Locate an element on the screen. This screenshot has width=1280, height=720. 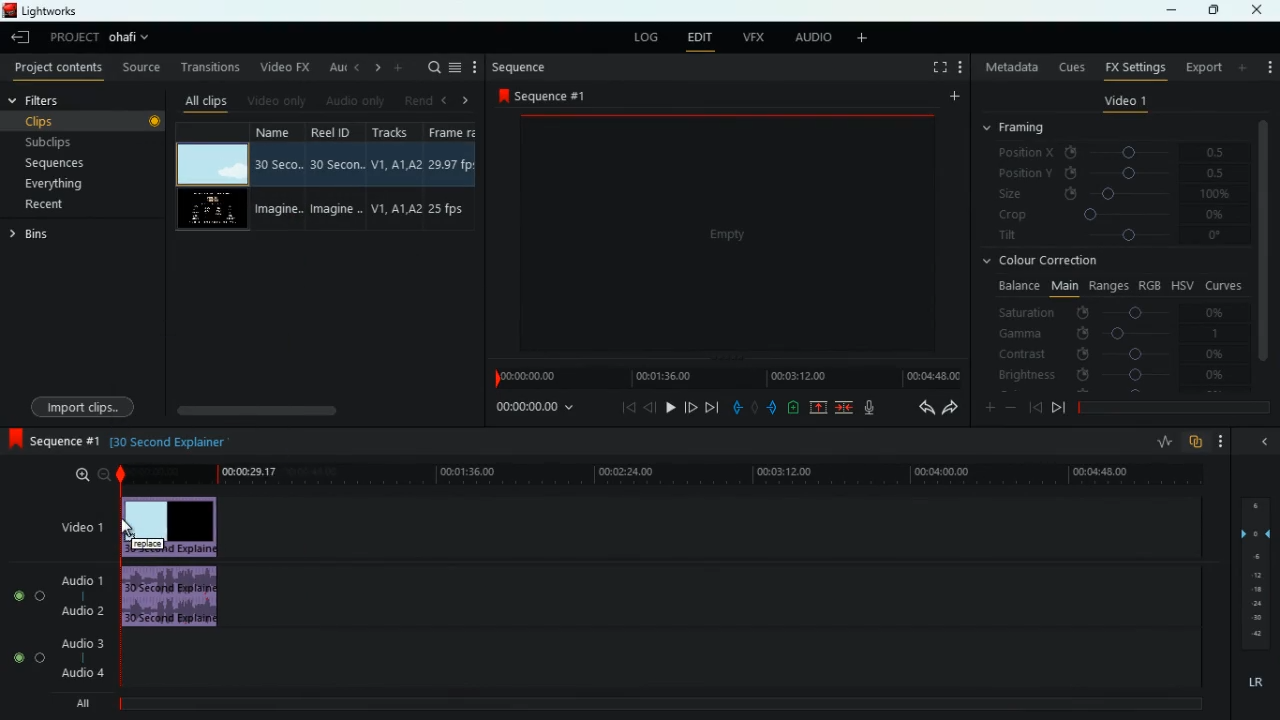
sequence is located at coordinates (522, 68).